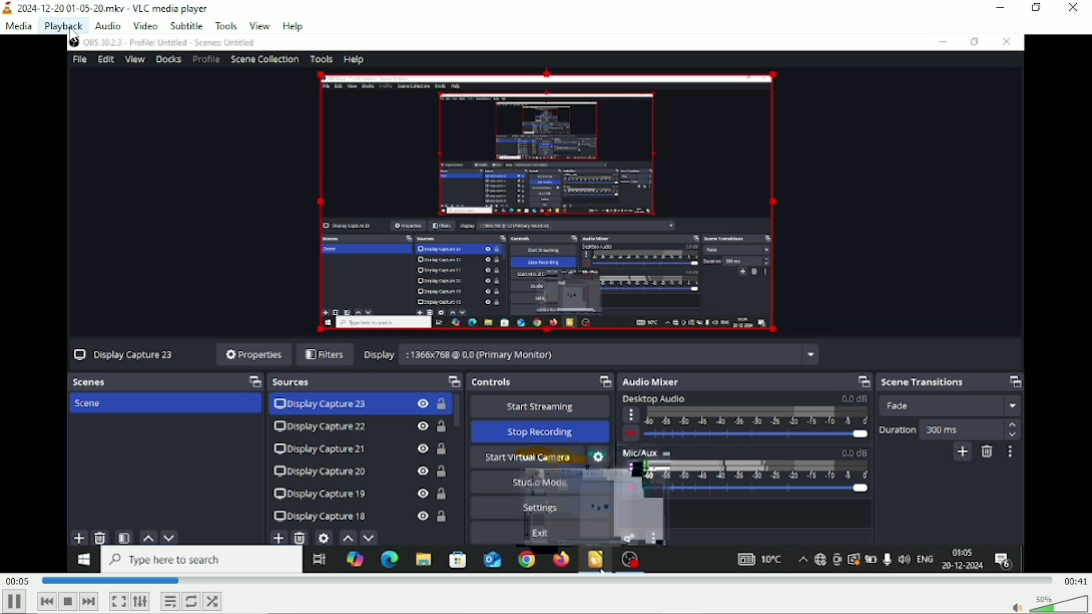 The width and height of the screenshot is (1092, 614). Describe the element at coordinates (89, 602) in the screenshot. I see `Next` at that location.